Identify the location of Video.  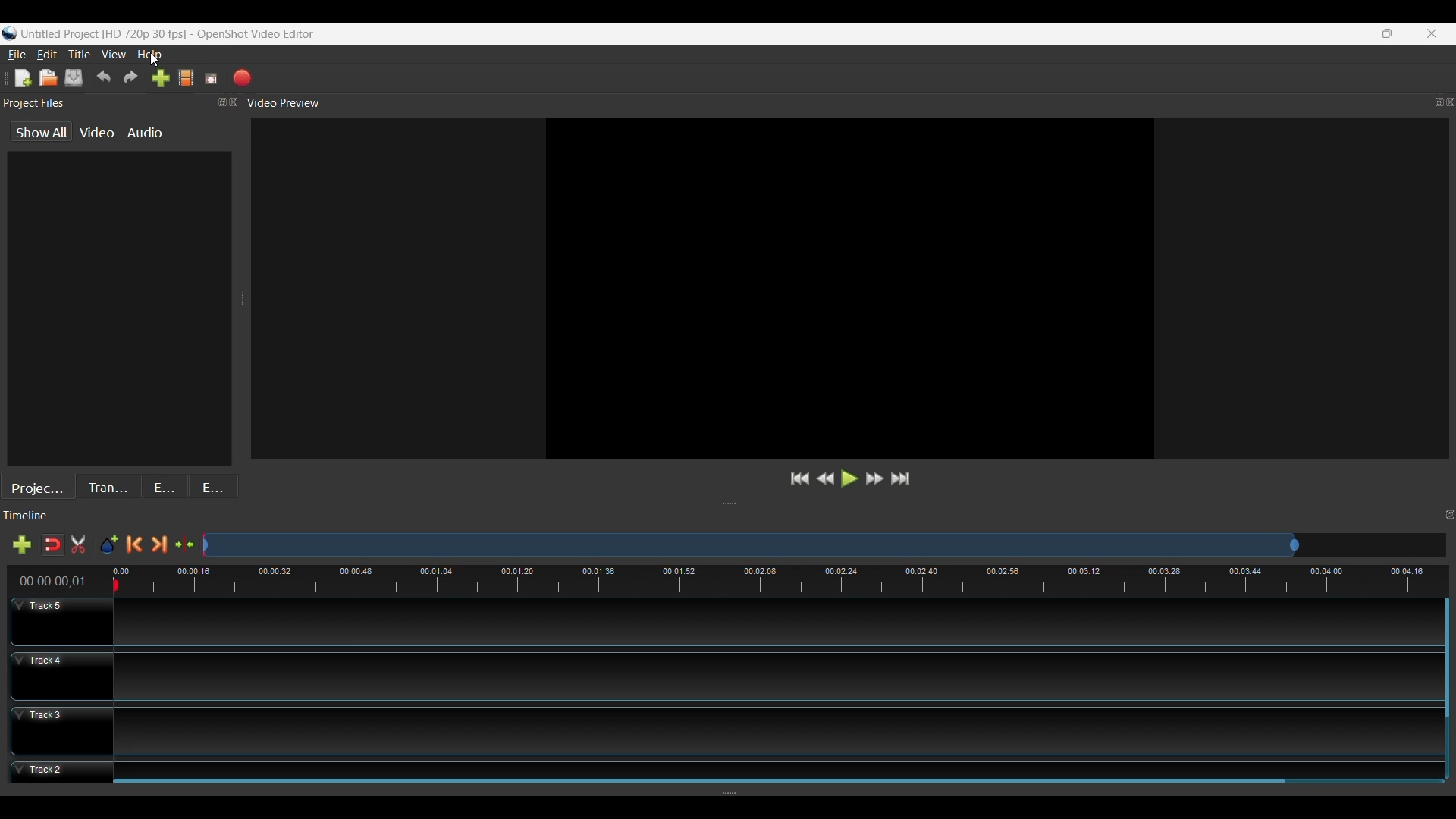
(95, 133).